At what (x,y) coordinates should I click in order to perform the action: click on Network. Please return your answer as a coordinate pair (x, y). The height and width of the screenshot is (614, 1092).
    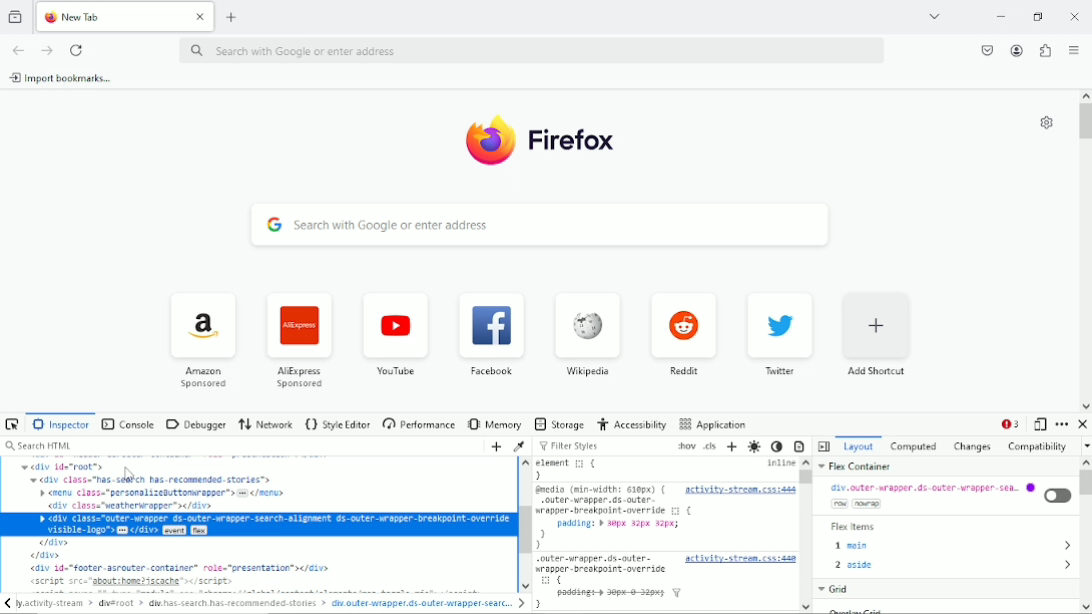
    Looking at the image, I should click on (266, 422).